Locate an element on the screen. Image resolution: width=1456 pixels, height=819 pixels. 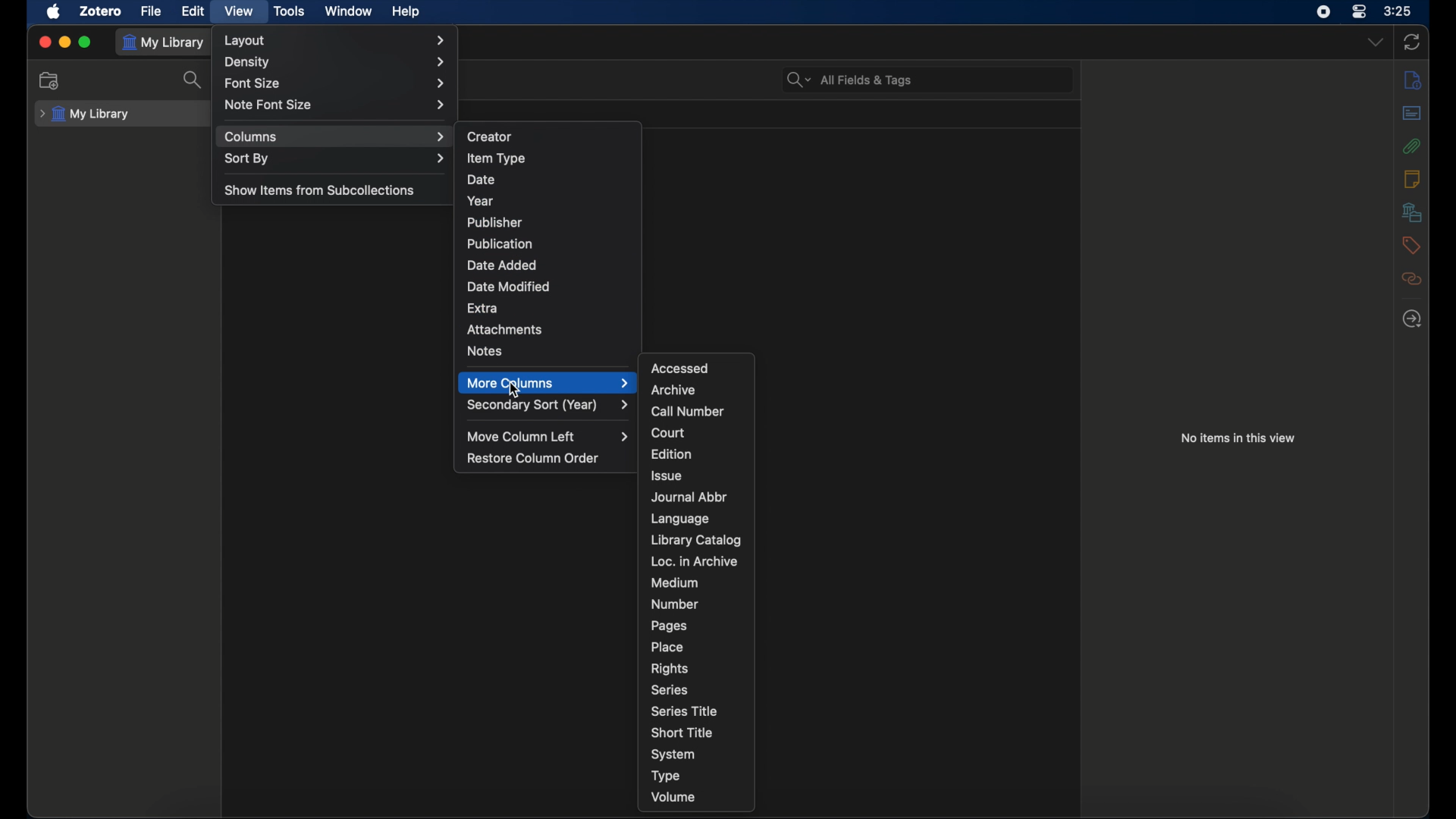
search is located at coordinates (194, 80).